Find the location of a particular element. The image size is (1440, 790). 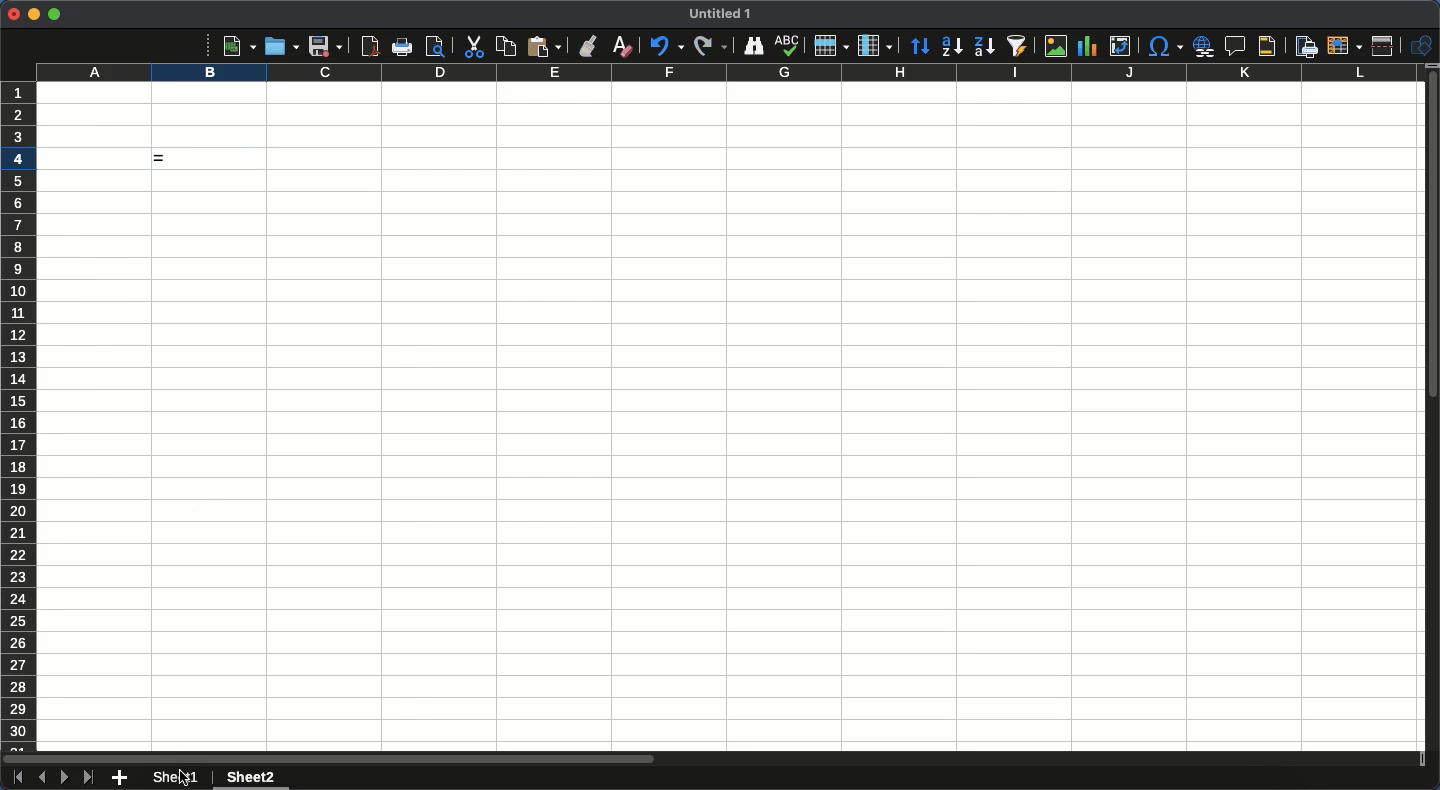

Define print area is located at coordinates (1305, 47).